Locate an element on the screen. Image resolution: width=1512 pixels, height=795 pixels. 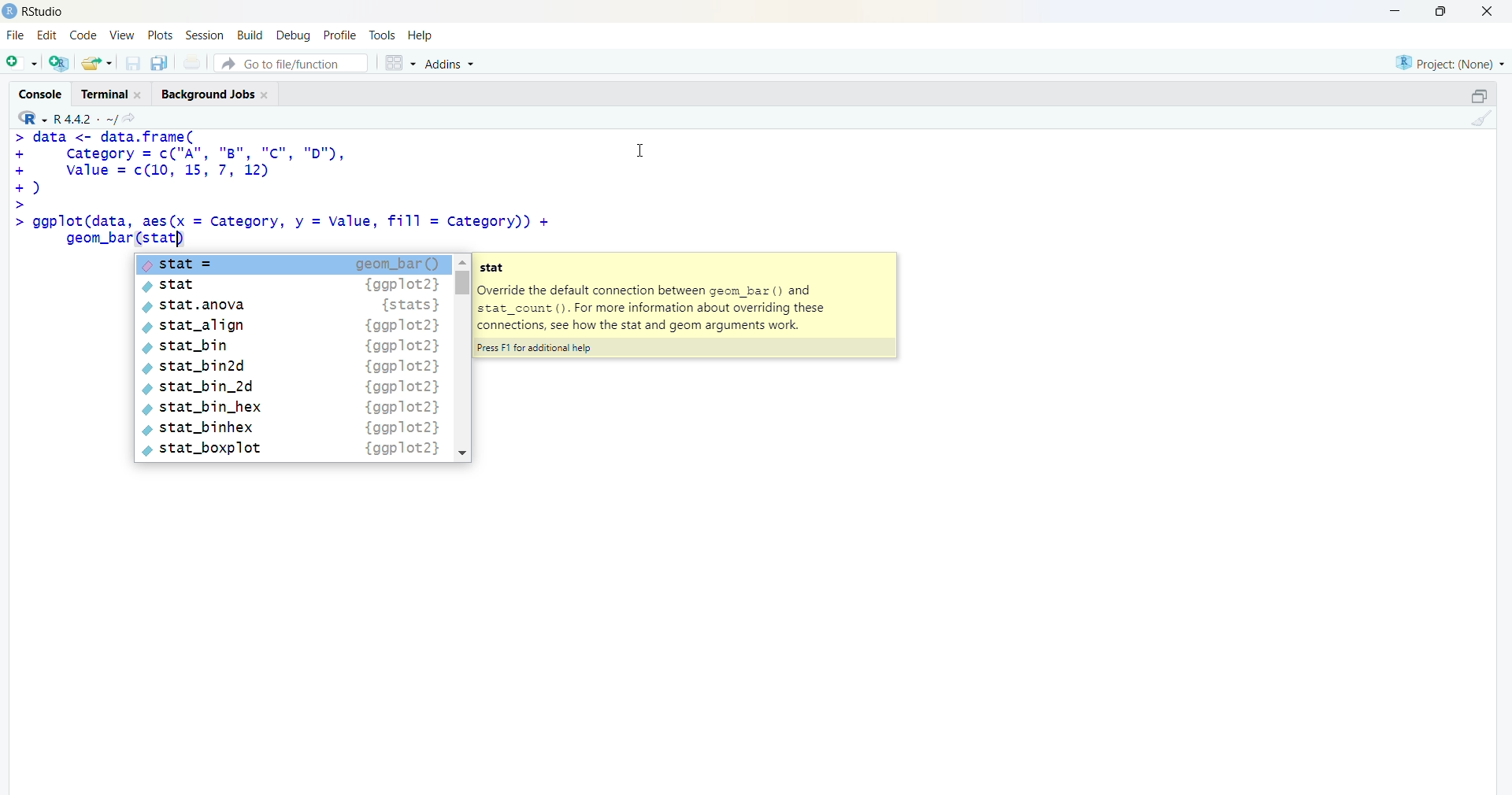
File is located at coordinates (16, 35).